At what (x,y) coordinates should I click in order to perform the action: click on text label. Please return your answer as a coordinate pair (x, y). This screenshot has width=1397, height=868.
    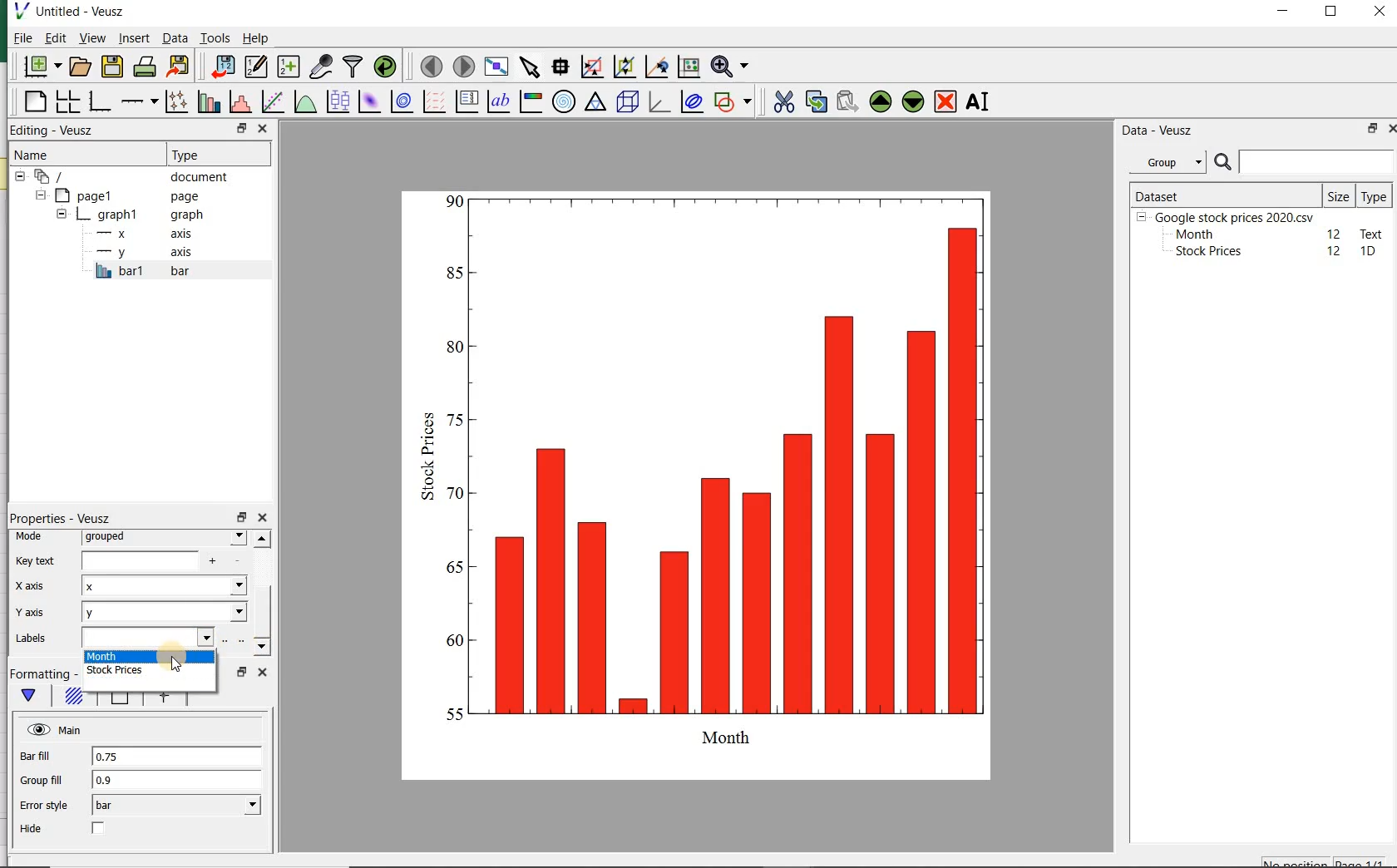
    Looking at the image, I should click on (498, 103).